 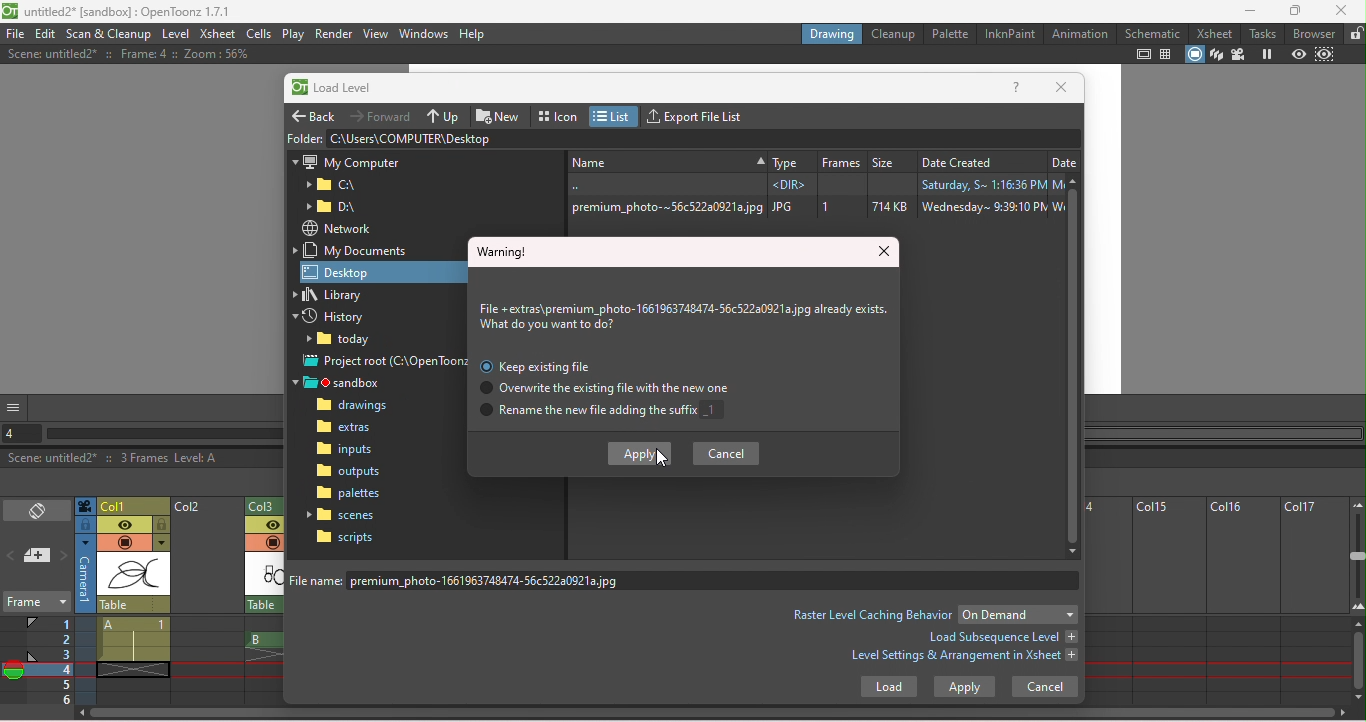 What do you see at coordinates (127, 54) in the screenshot?
I see `Scene: untitled2* : Frame: 4 :: Zoom: 56%` at bounding box center [127, 54].